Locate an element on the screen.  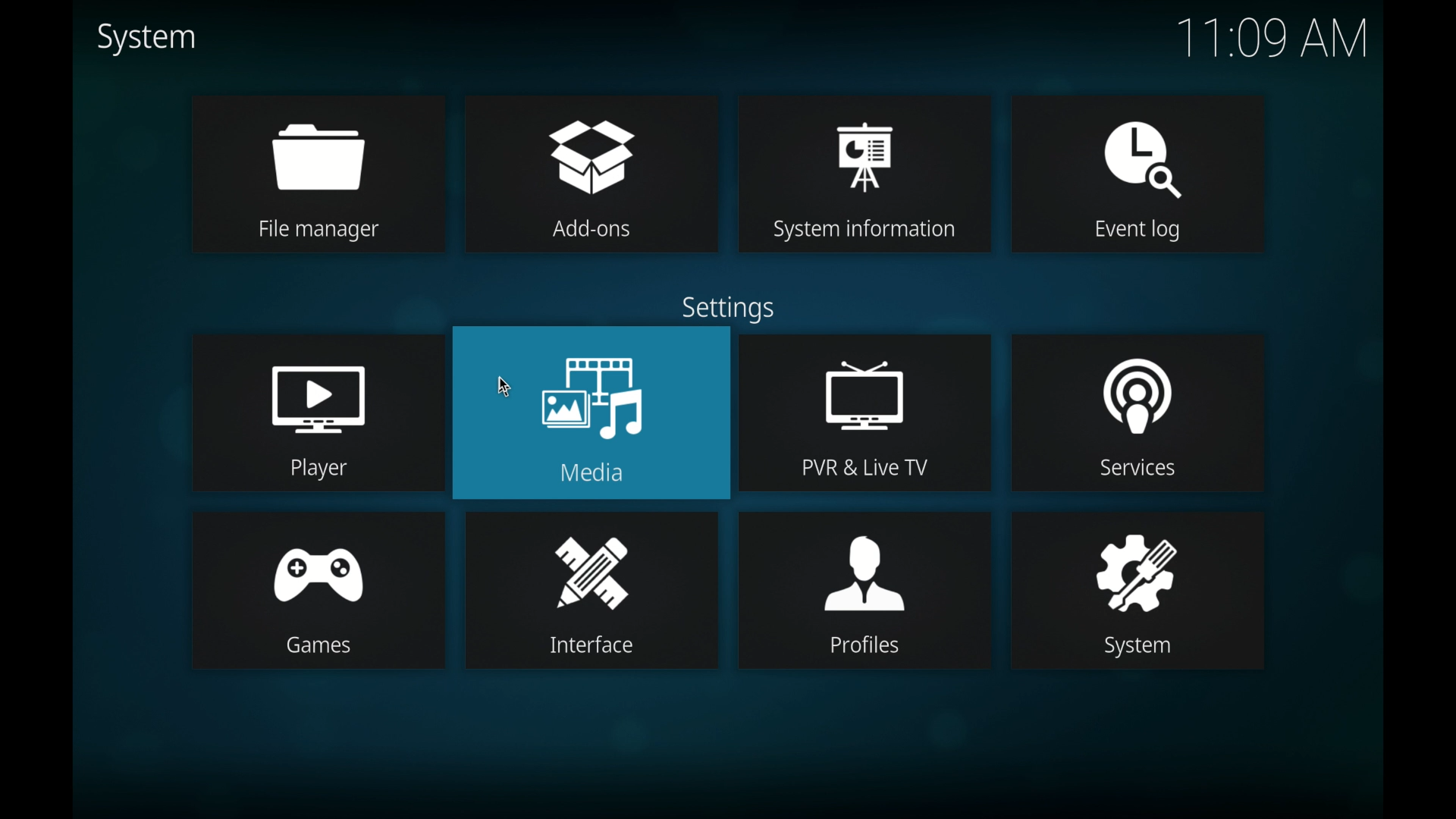
pvr and live tv is located at coordinates (864, 414).